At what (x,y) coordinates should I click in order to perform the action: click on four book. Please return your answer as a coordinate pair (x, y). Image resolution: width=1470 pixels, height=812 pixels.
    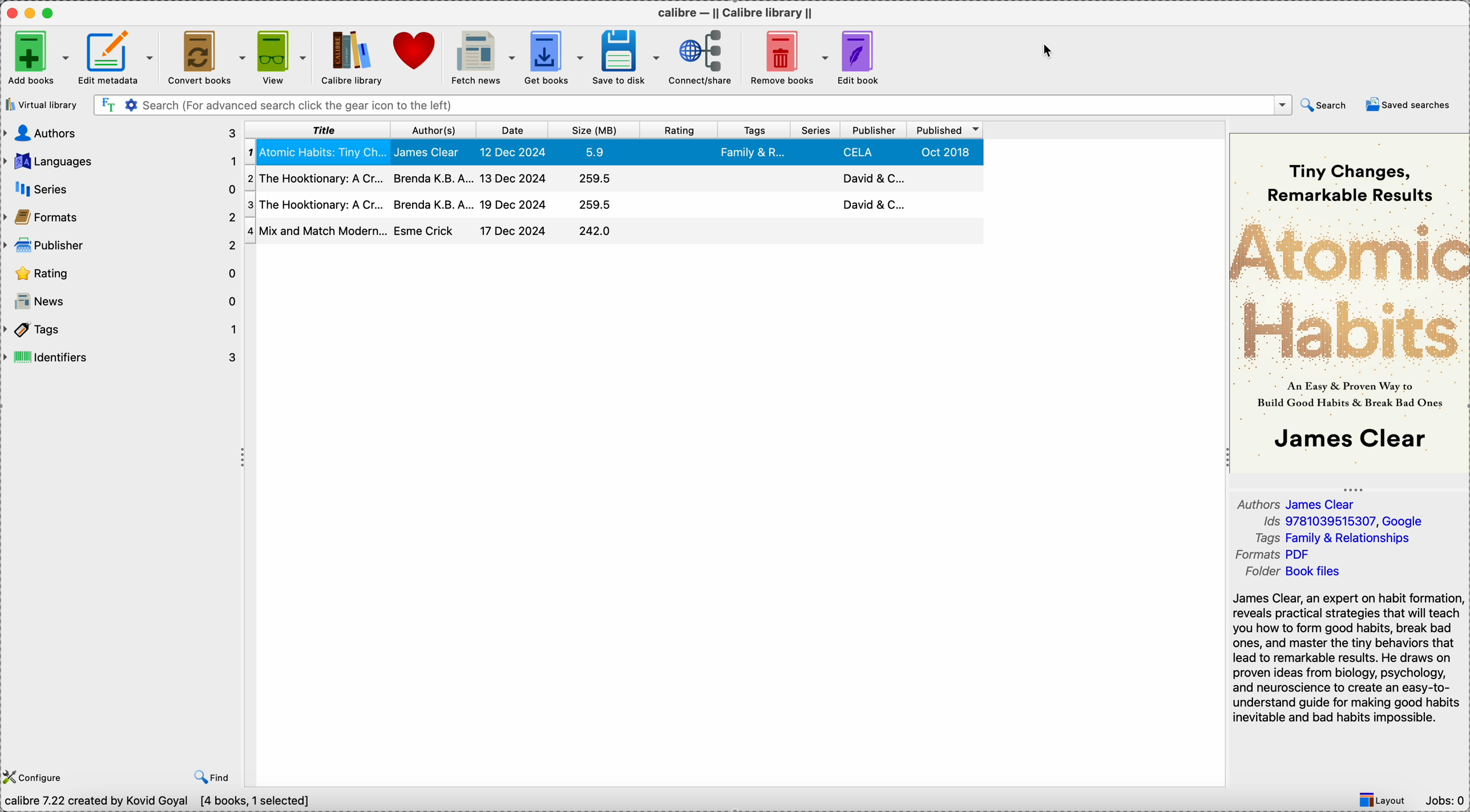
    Looking at the image, I should click on (615, 232).